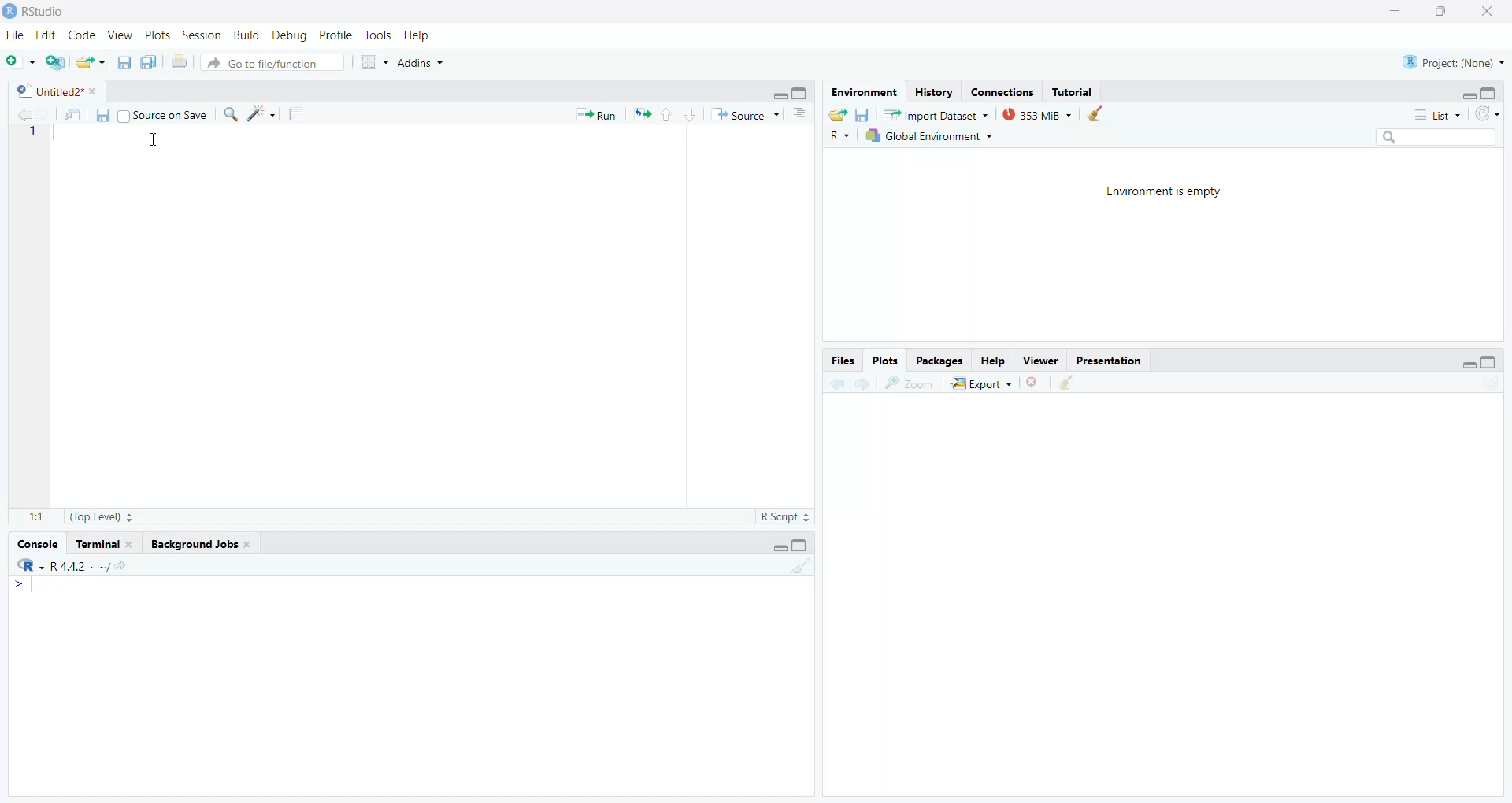  Describe the element at coordinates (103, 518) in the screenshot. I see `(Top Level) +` at that location.